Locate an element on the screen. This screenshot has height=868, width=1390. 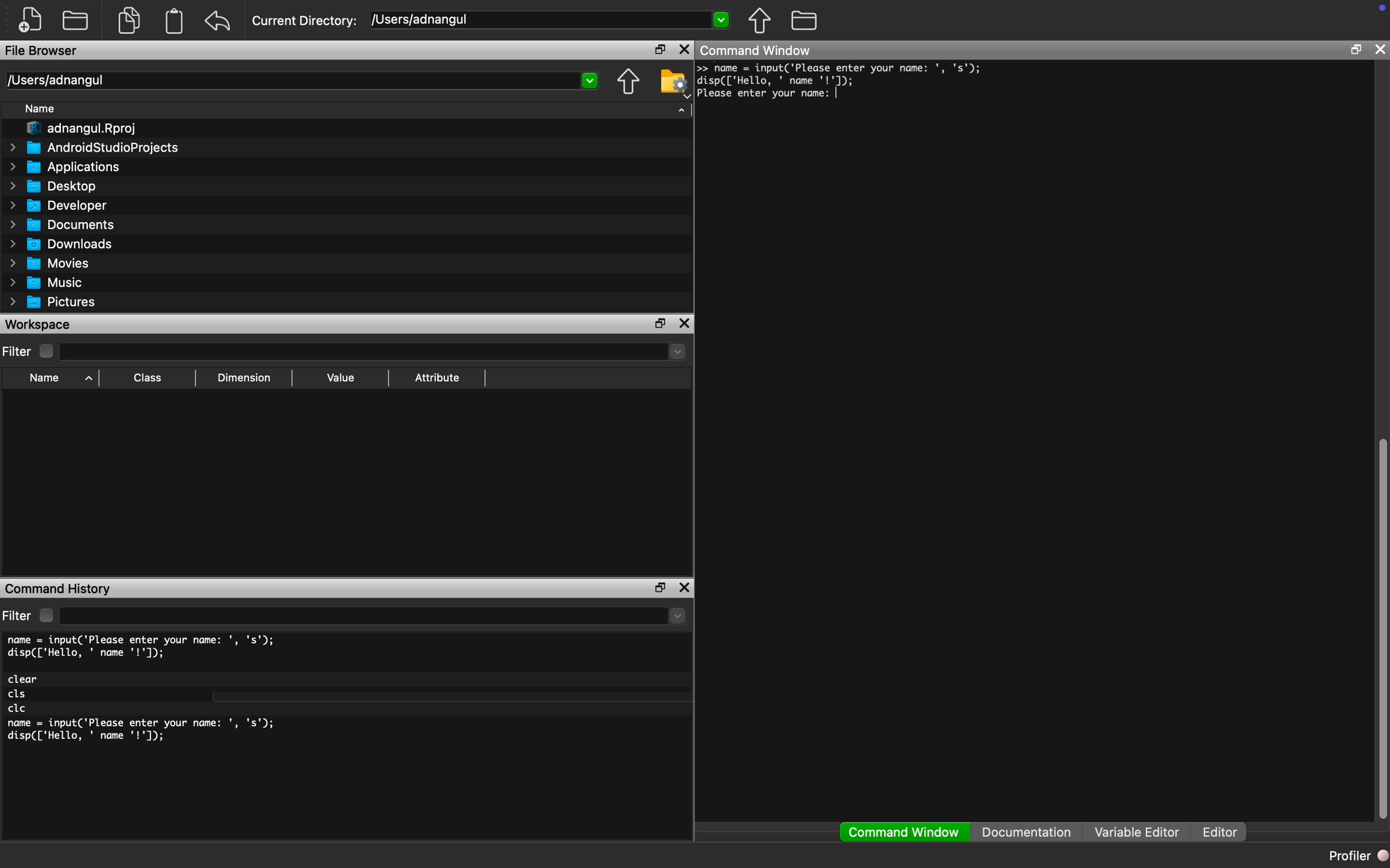
New file is located at coordinates (30, 20).